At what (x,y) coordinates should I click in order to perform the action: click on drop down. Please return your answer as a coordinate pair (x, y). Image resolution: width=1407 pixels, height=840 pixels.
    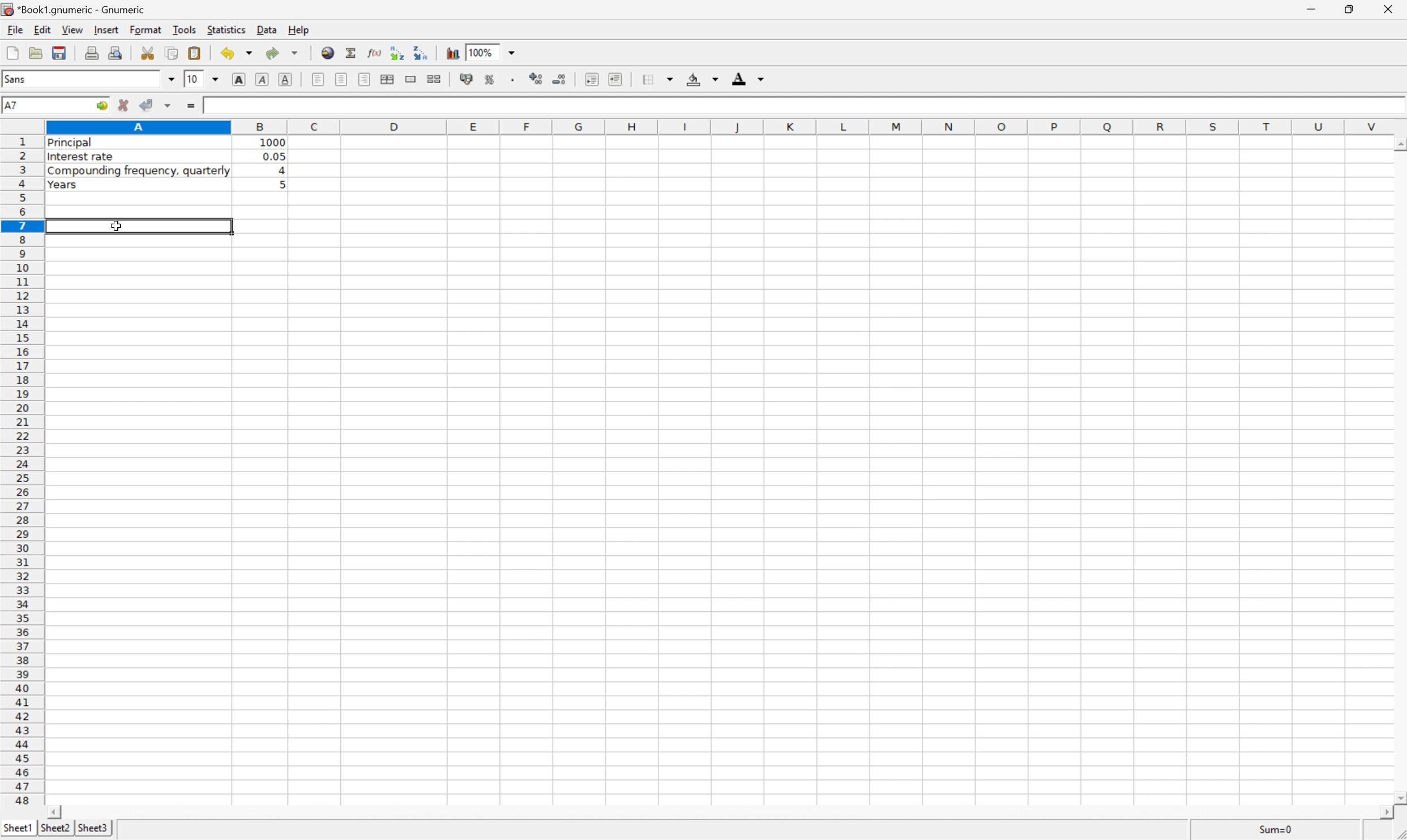
    Looking at the image, I should click on (169, 79).